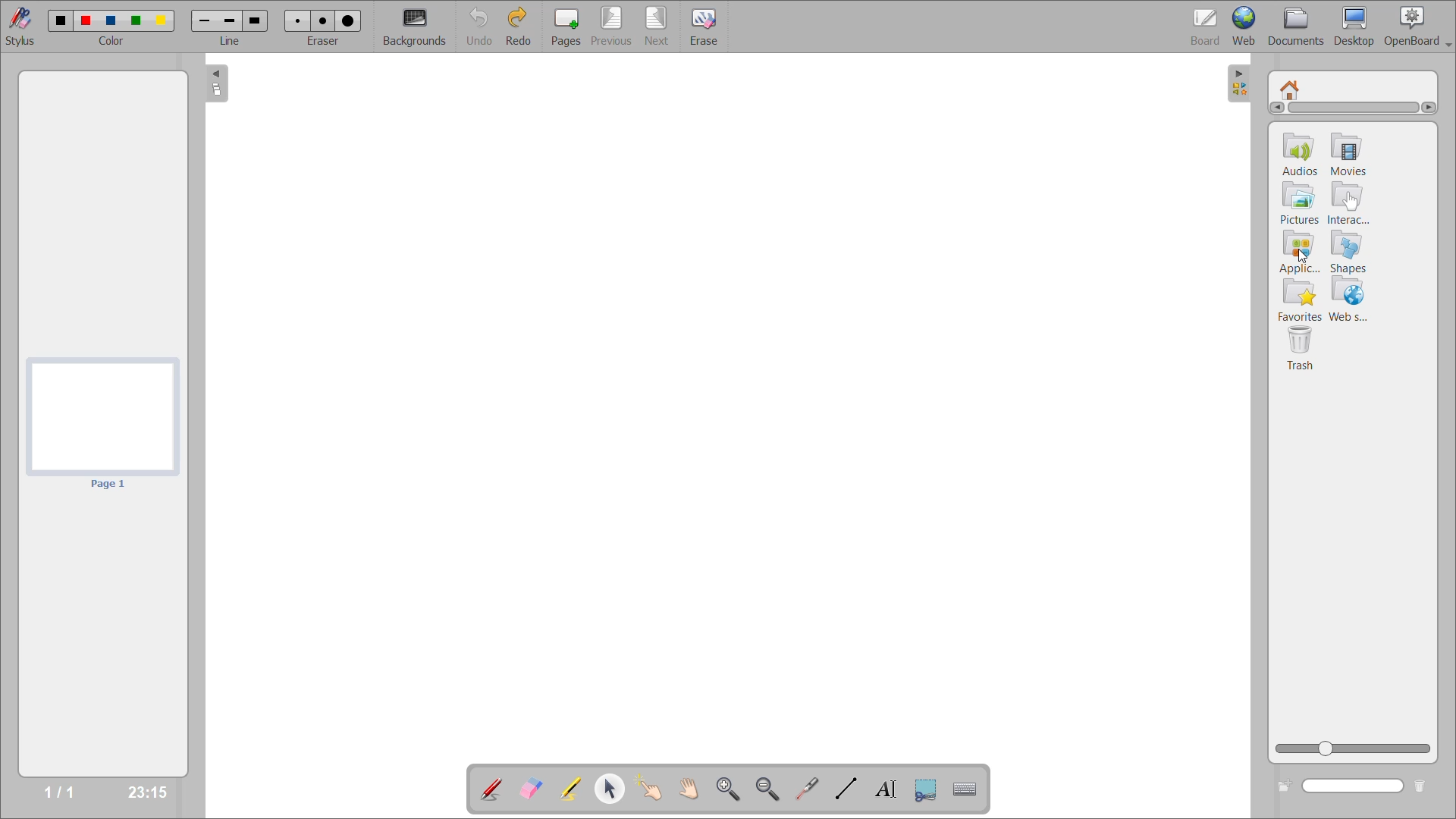 Image resolution: width=1456 pixels, height=819 pixels. Describe the element at coordinates (1299, 203) in the screenshot. I see `pictures` at that location.